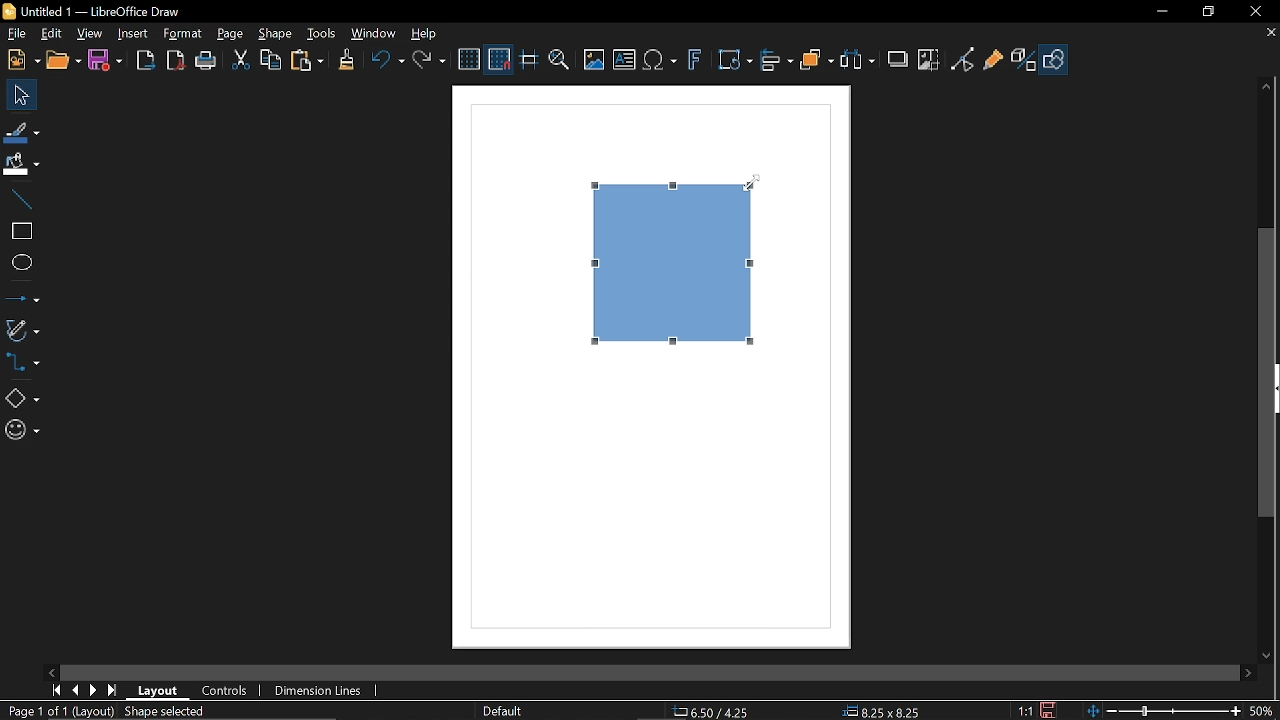 This screenshot has width=1280, height=720. Describe the element at coordinates (1267, 656) in the screenshot. I see `Move down` at that location.